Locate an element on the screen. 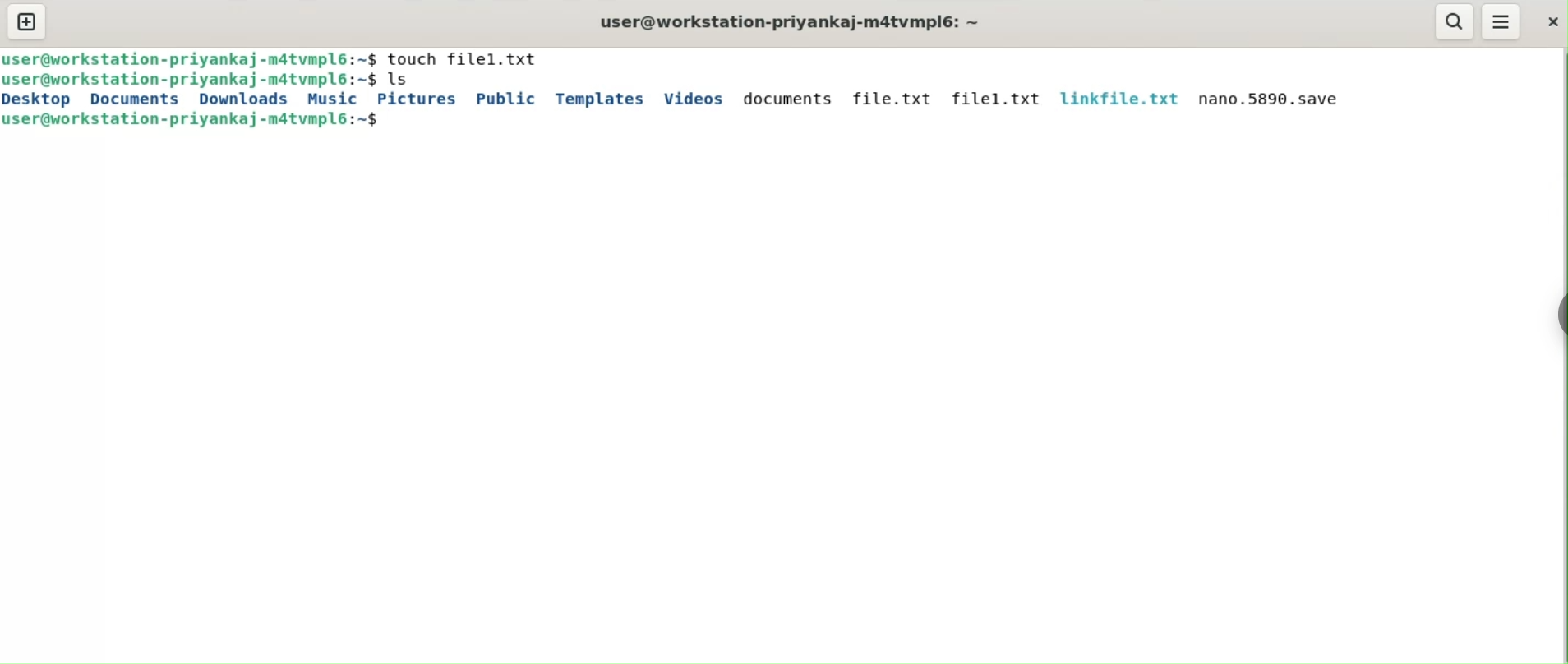  videos is located at coordinates (693, 99).